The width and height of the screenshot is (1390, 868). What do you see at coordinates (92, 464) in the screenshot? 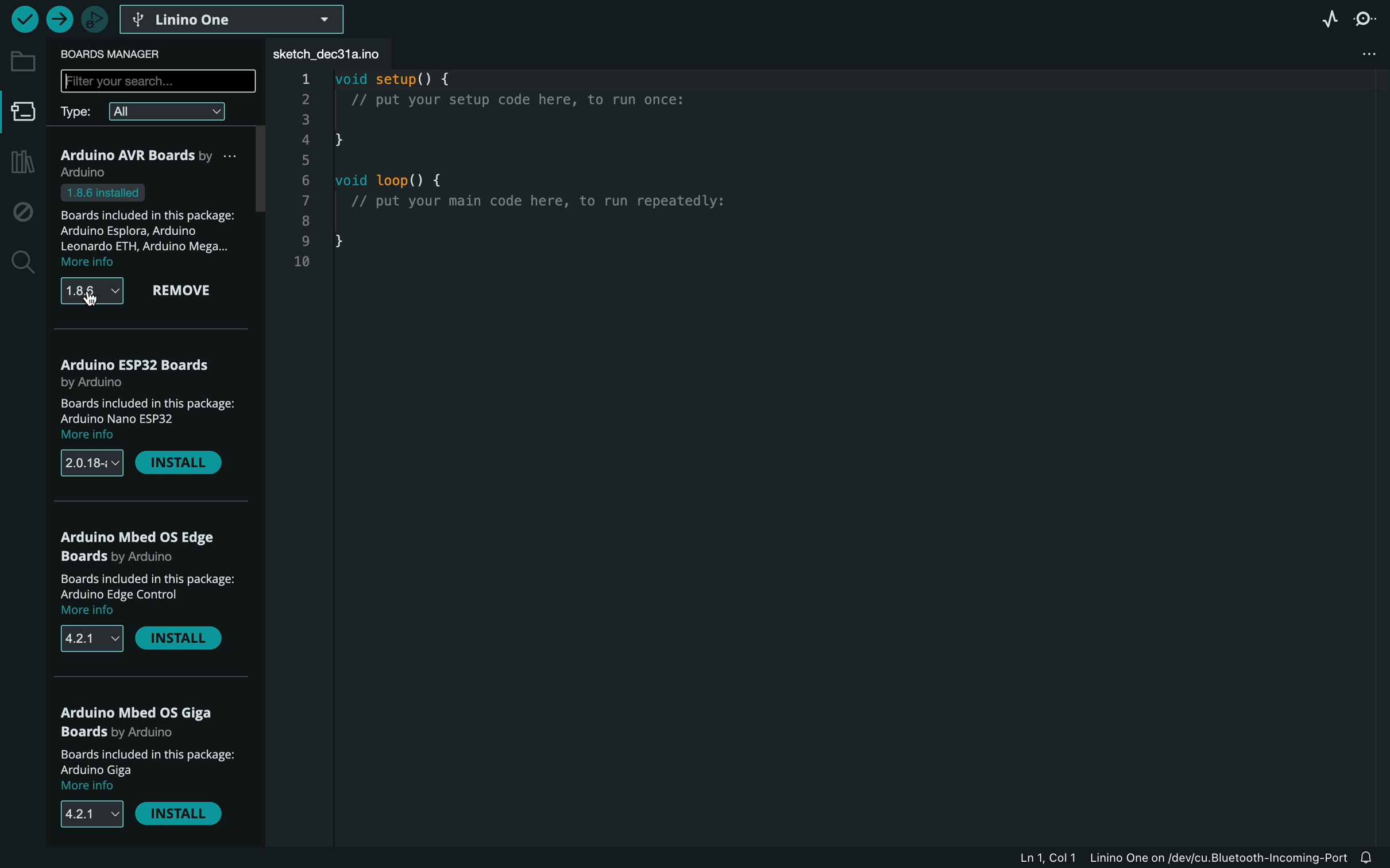
I see `versions` at bounding box center [92, 464].